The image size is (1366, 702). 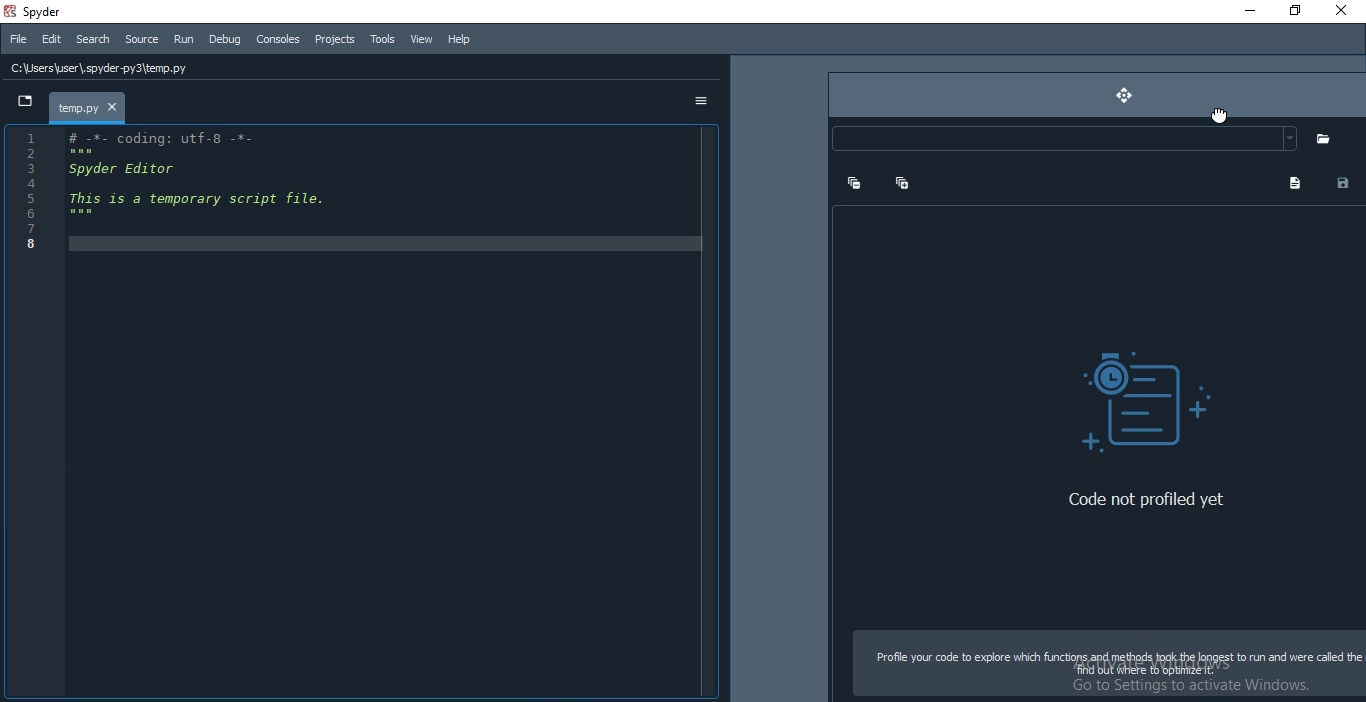 What do you see at coordinates (93, 40) in the screenshot?
I see `Search` at bounding box center [93, 40].